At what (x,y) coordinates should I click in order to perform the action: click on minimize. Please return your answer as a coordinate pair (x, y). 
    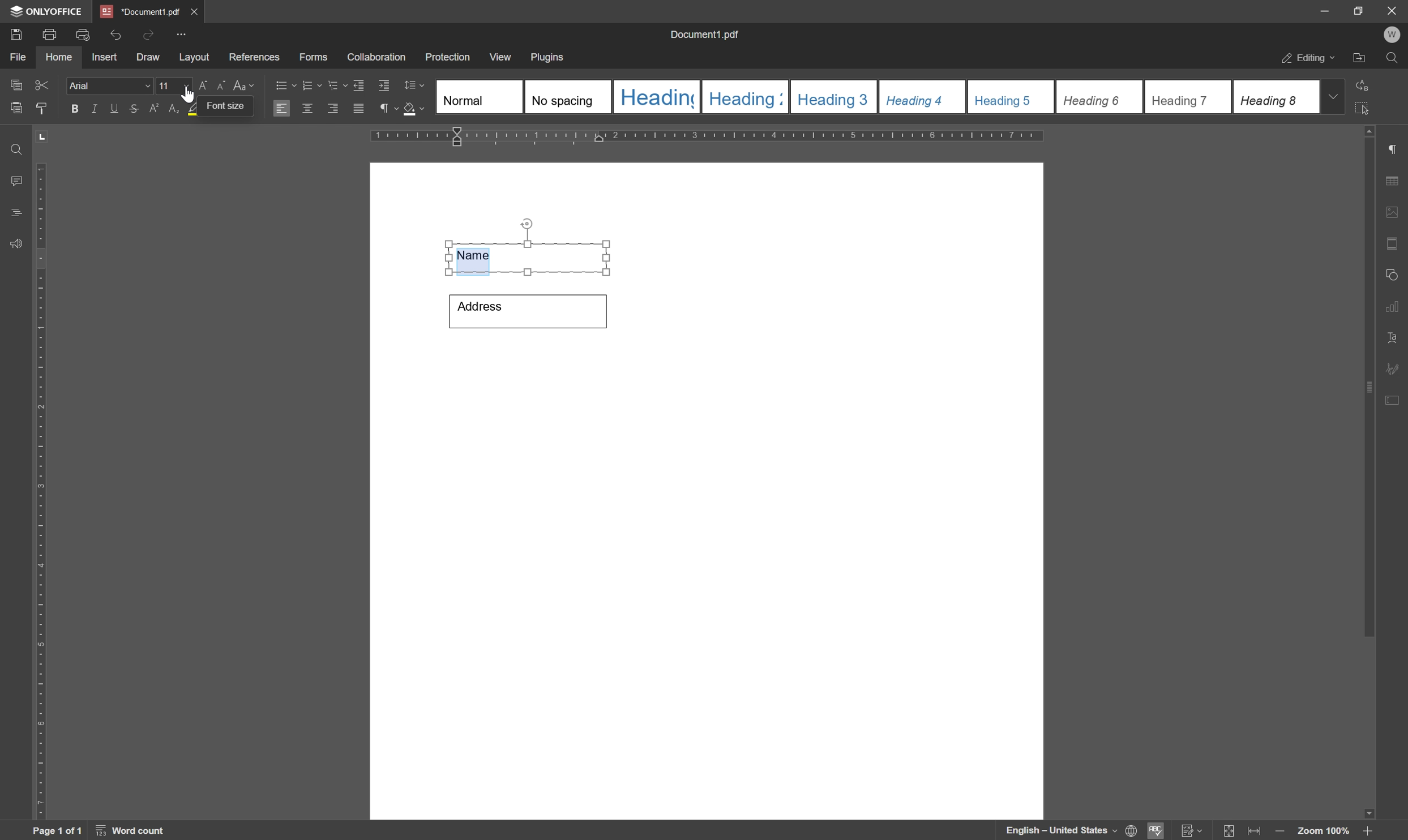
    Looking at the image, I should click on (1319, 10).